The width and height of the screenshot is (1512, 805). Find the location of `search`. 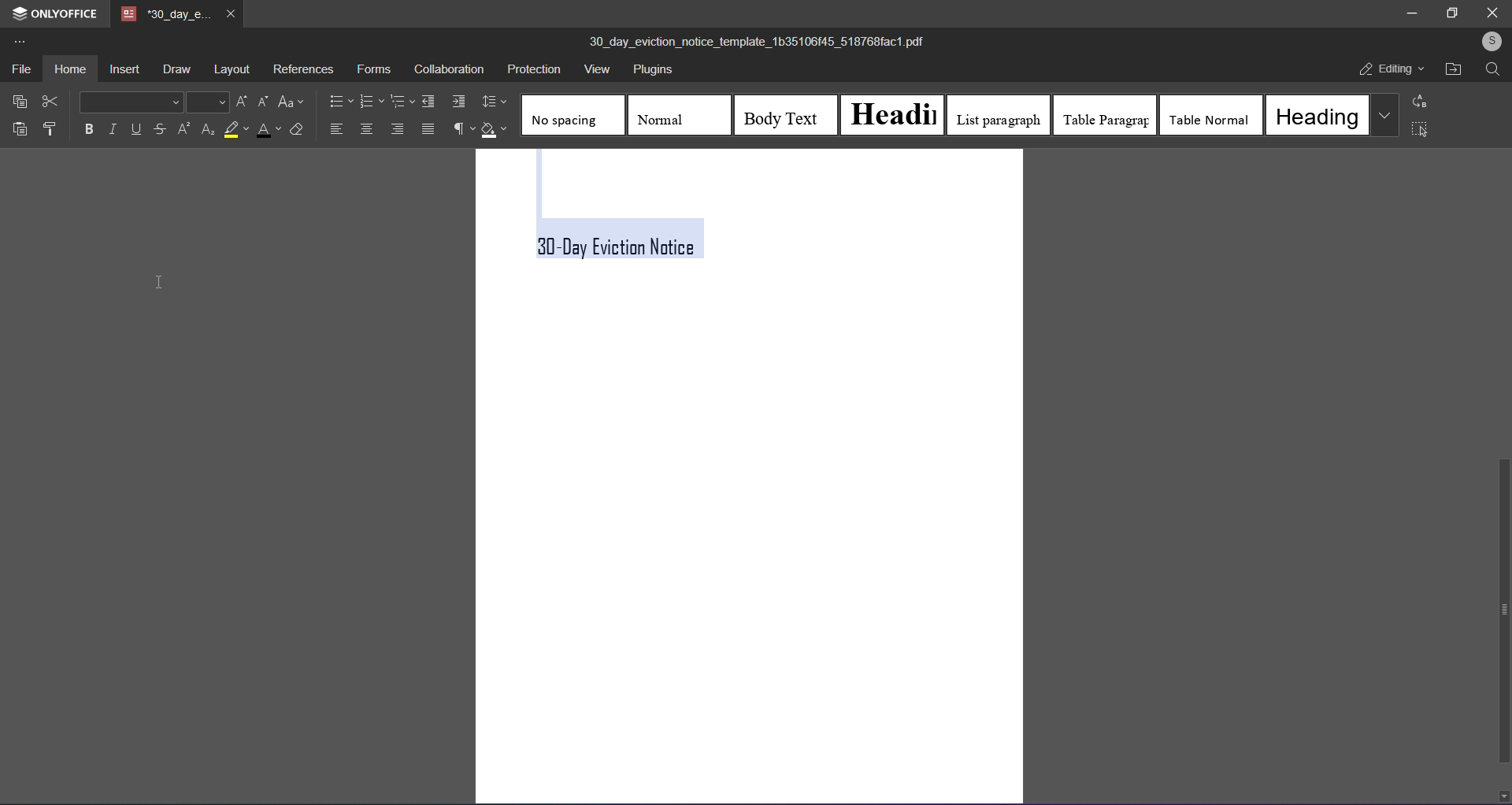

search is located at coordinates (1494, 70).